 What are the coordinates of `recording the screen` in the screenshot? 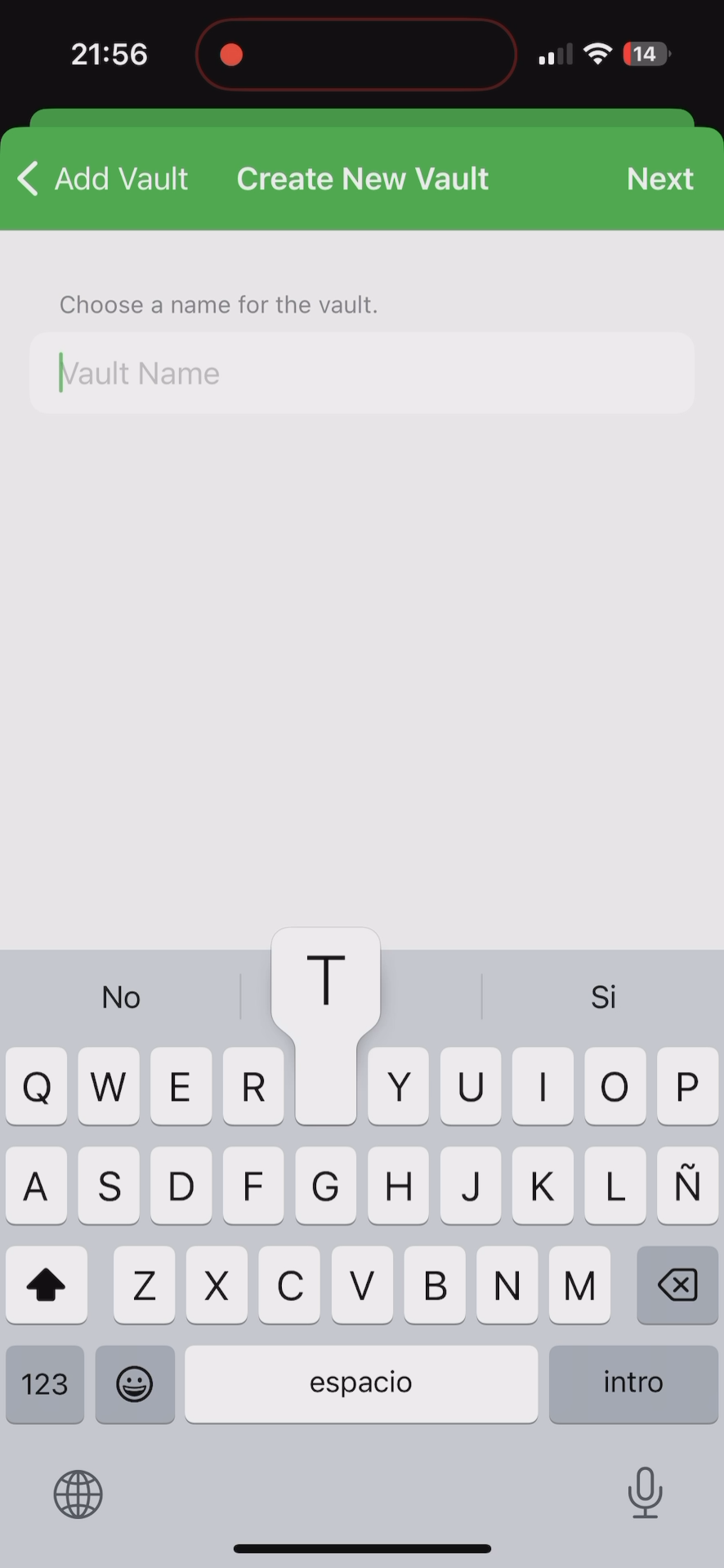 It's located at (231, 51).